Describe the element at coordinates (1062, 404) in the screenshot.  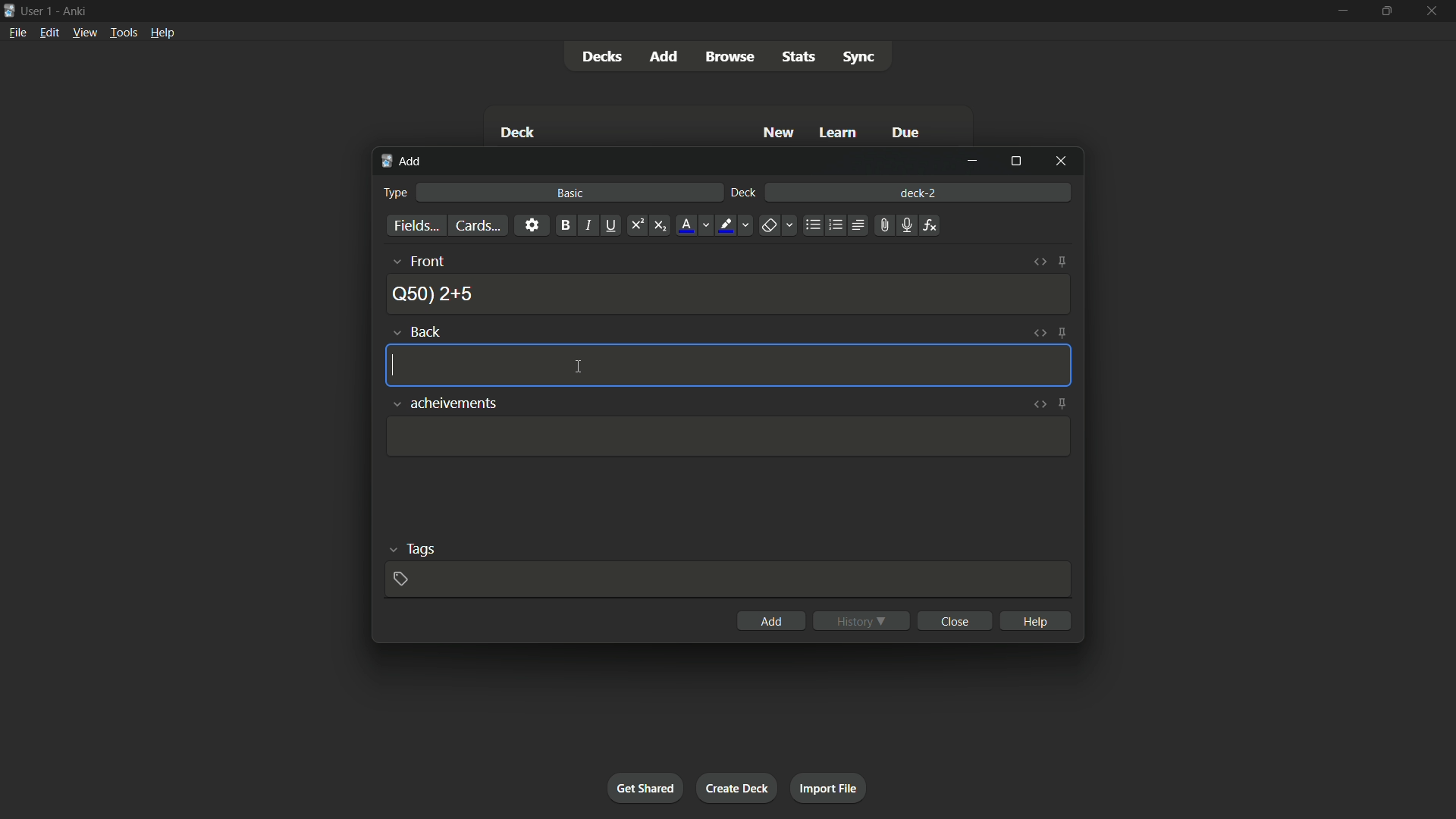
I see `toggle sticky` at that location.